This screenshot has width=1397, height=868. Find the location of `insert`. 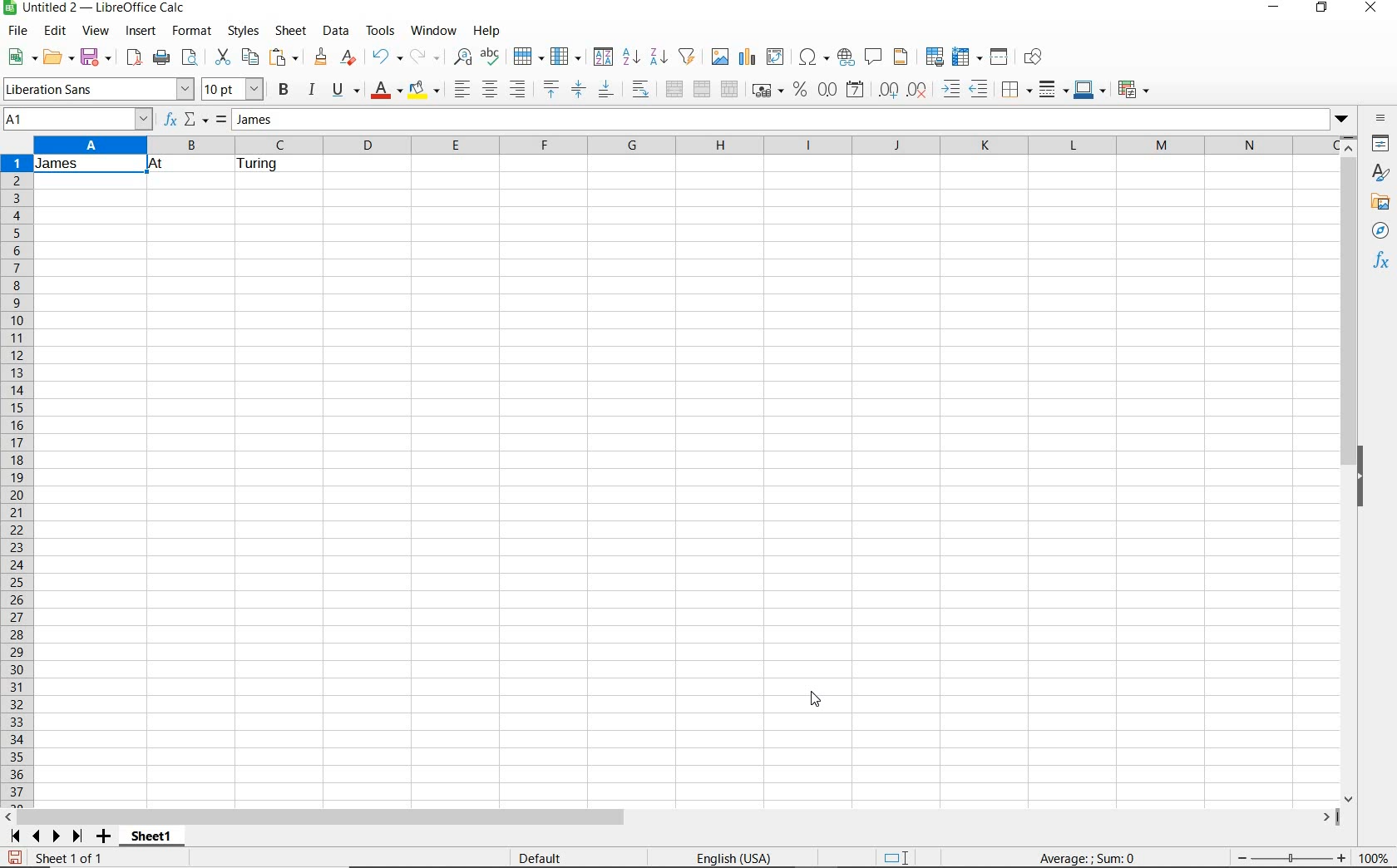

insert is located at coordinates (141, 33).